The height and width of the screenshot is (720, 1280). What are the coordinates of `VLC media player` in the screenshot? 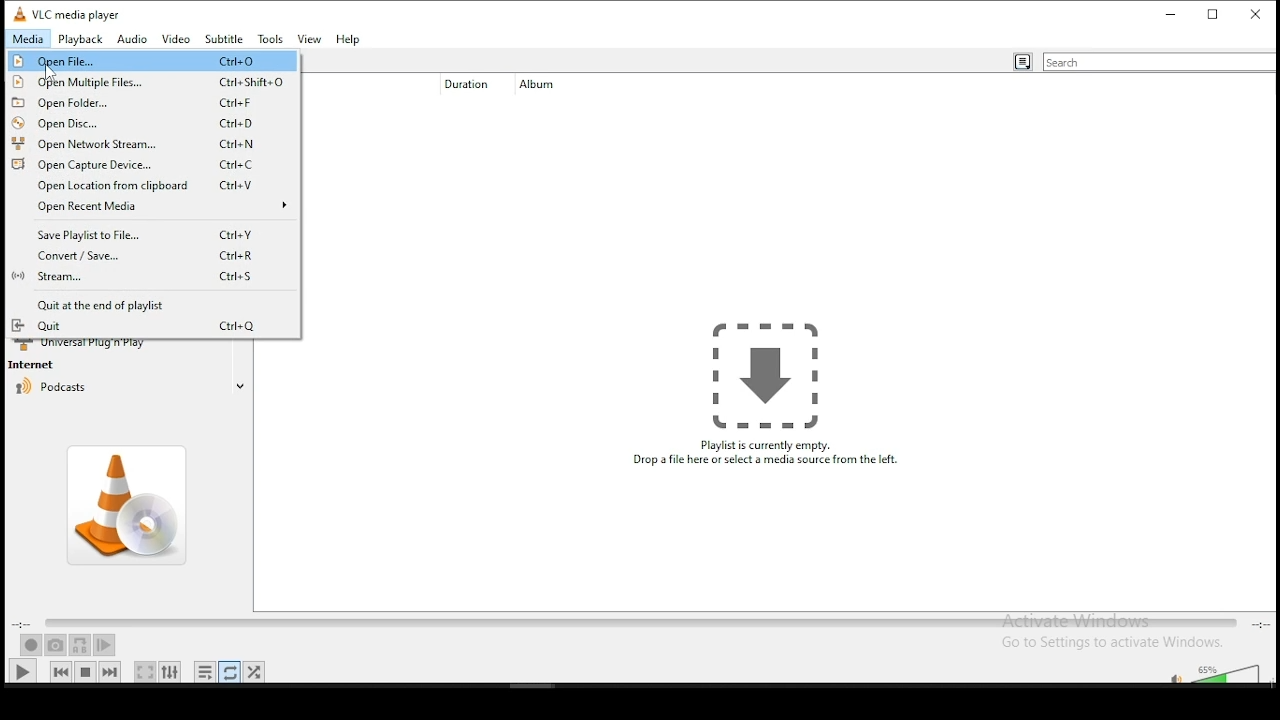 It's located at (78, 12).